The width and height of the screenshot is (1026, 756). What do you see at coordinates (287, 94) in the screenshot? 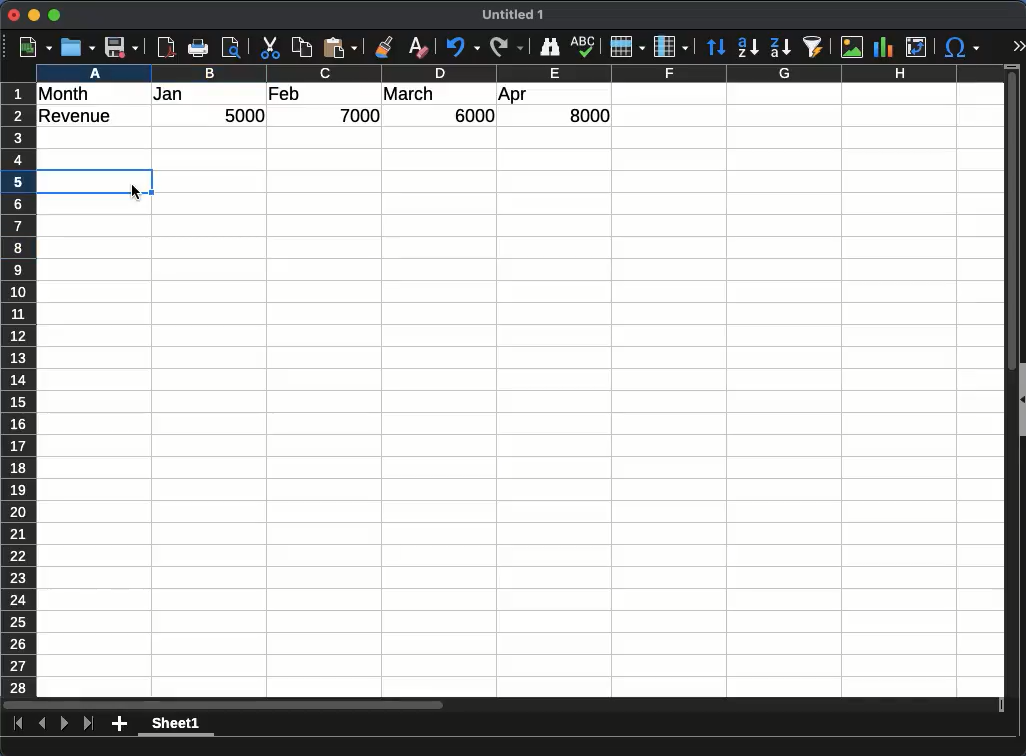
I see `feb` at bounding box center [287, 94].